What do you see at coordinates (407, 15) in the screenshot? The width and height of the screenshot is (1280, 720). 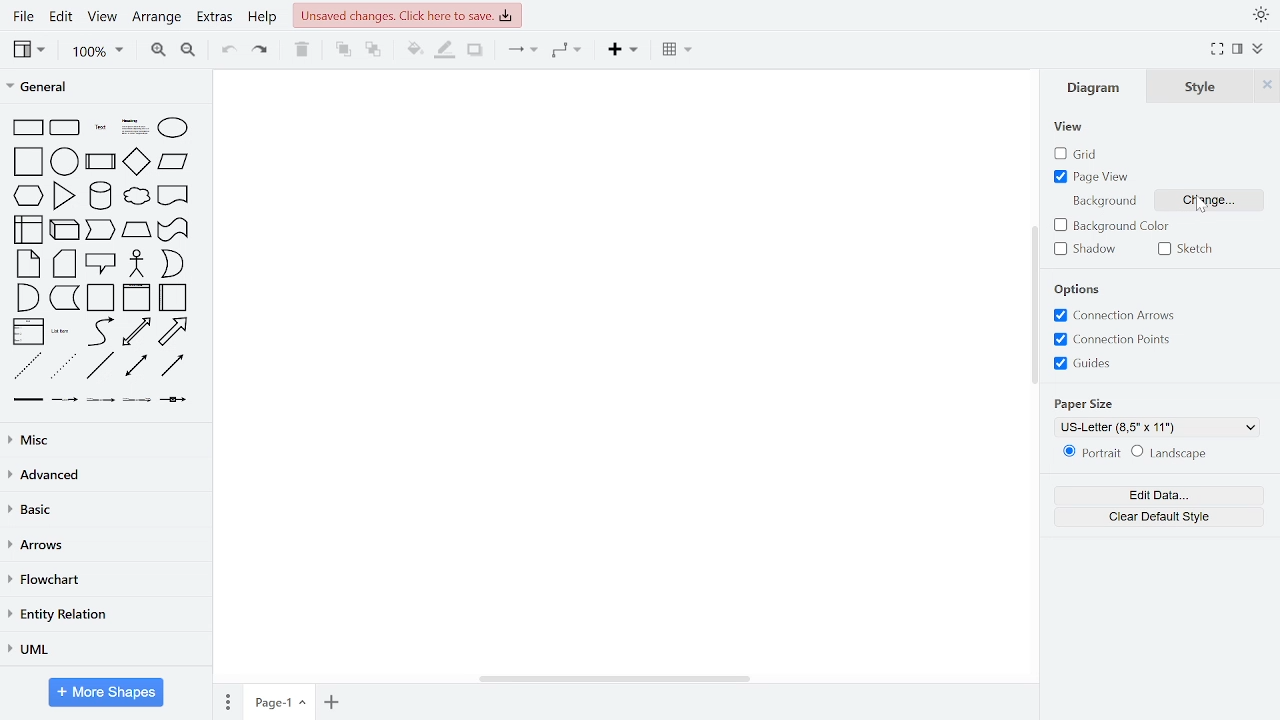 I see `unsaved changes. Click here to save` at bounding box center [407, 15].